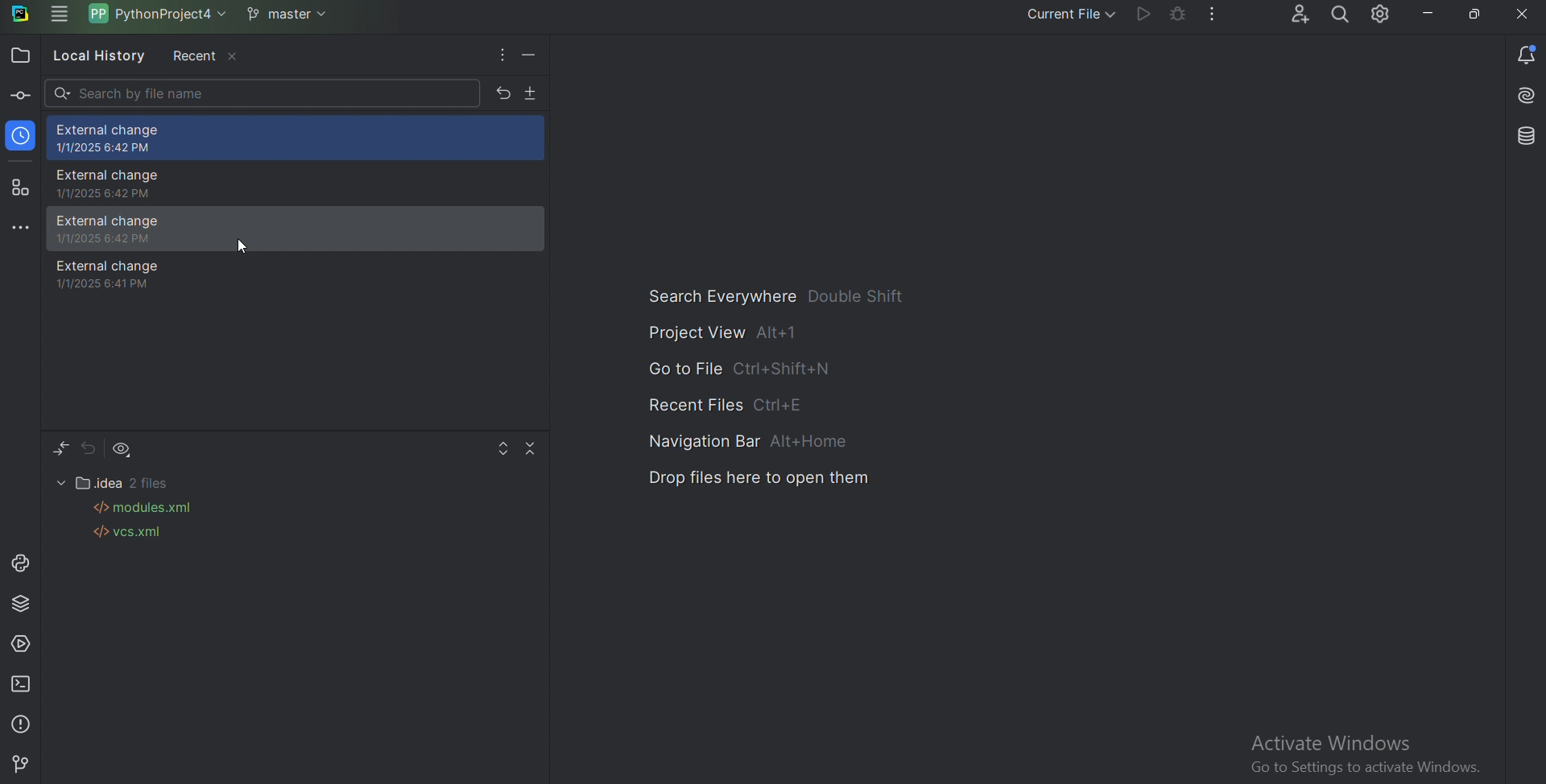 Image resolution: width=1546 pixels, height=784 pixels. What do you see at coordinates (501, 56) in the screenshot?
I see `Options` at bounding box center [501, 56].